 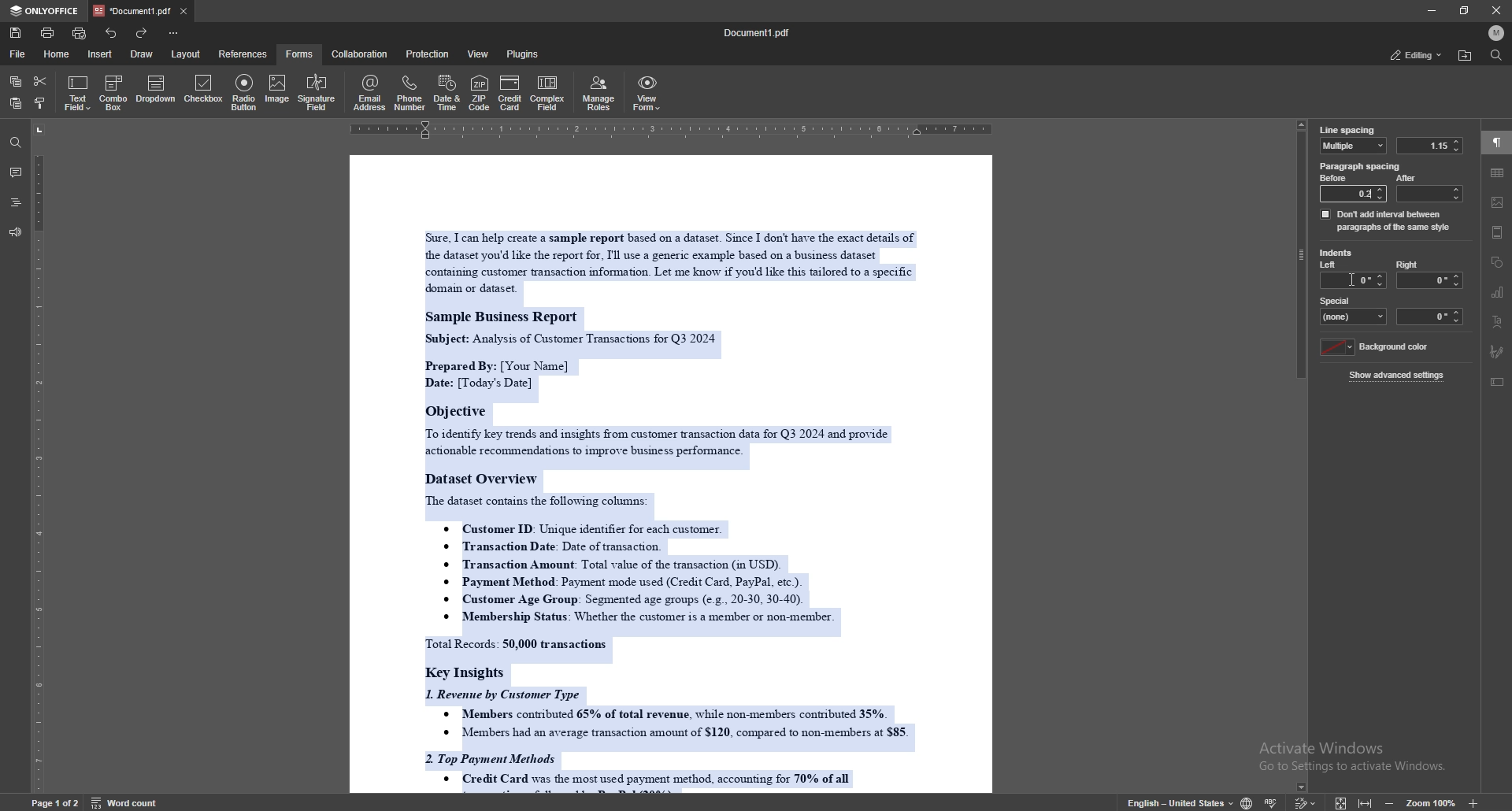 I want to click on layout, so click(x=185, y=54).